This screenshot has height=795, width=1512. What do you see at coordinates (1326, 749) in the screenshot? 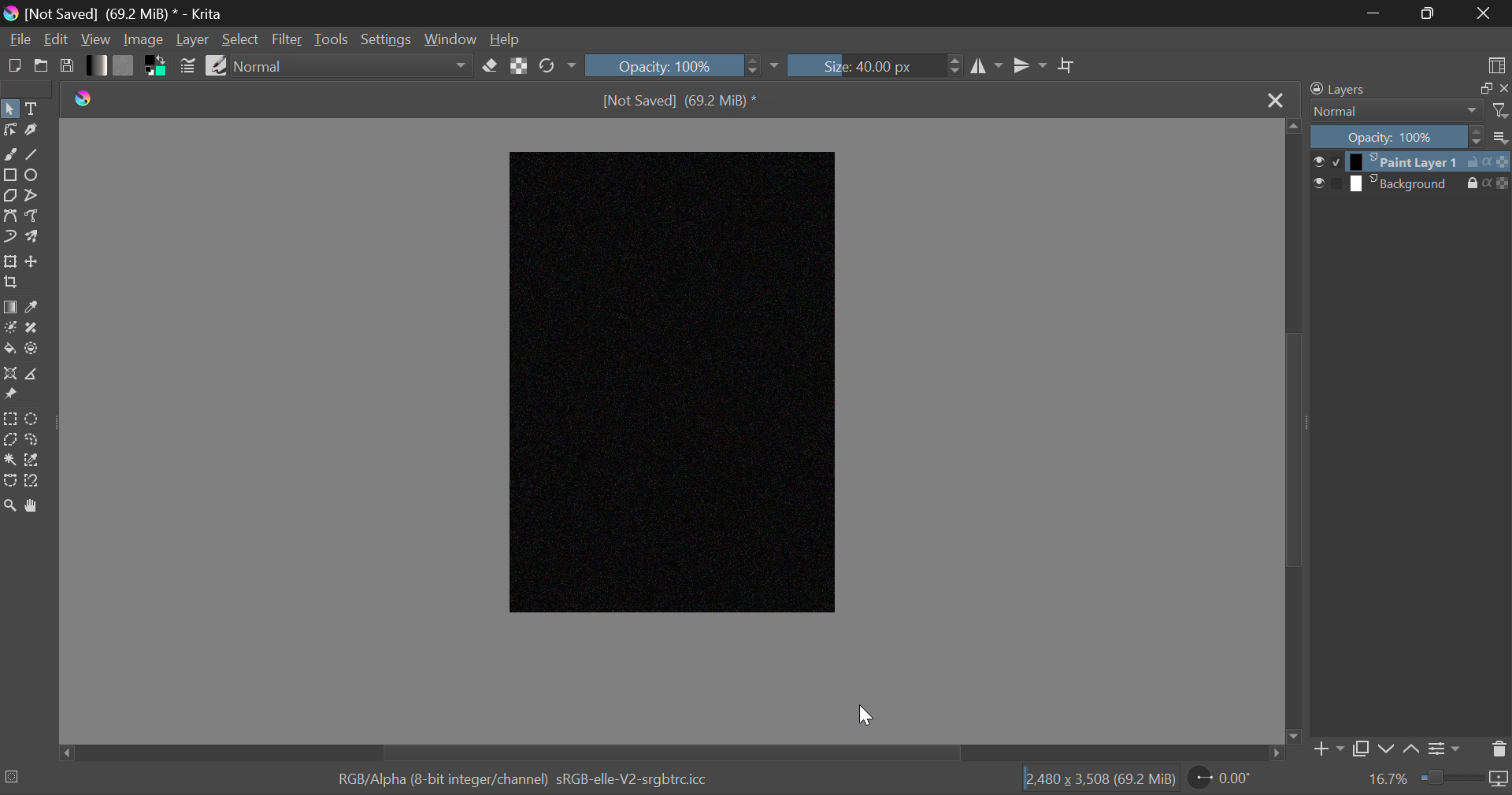
I see `Add Layer` at bounding box center [1326, 749].